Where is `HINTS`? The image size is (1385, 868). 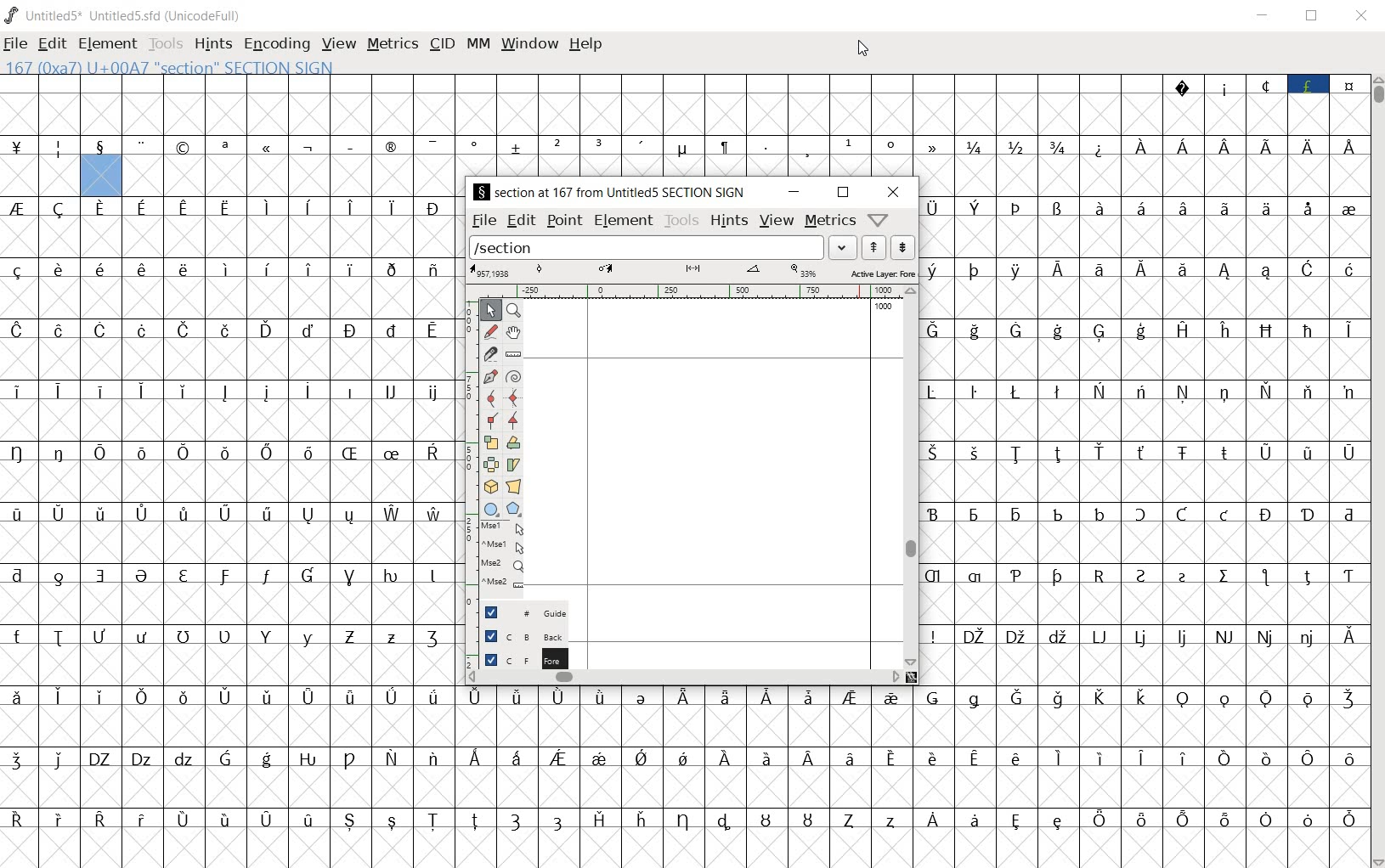
HINTS is located at coordinates (212, 45).